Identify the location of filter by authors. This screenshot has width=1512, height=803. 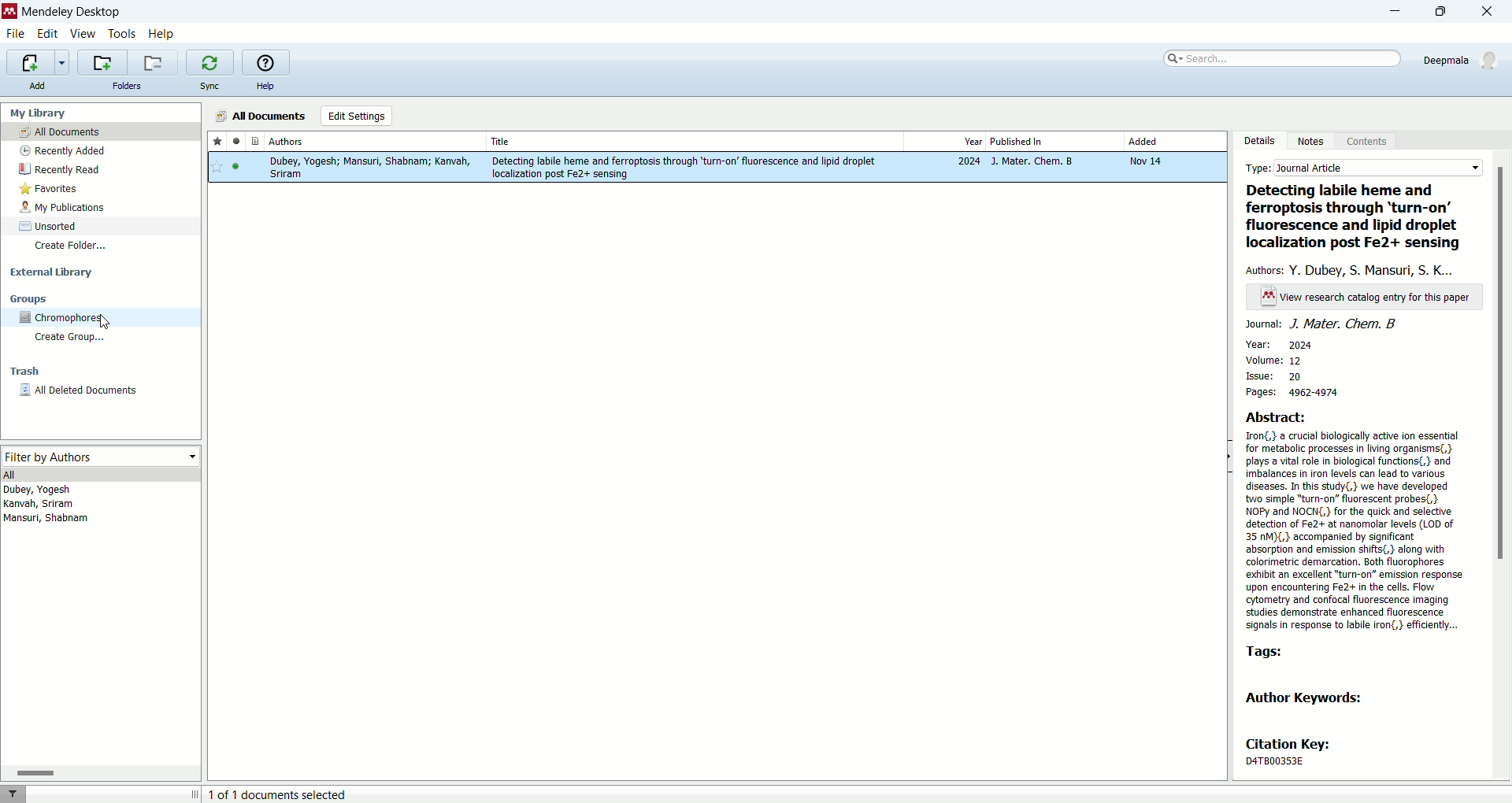
(102, 457).